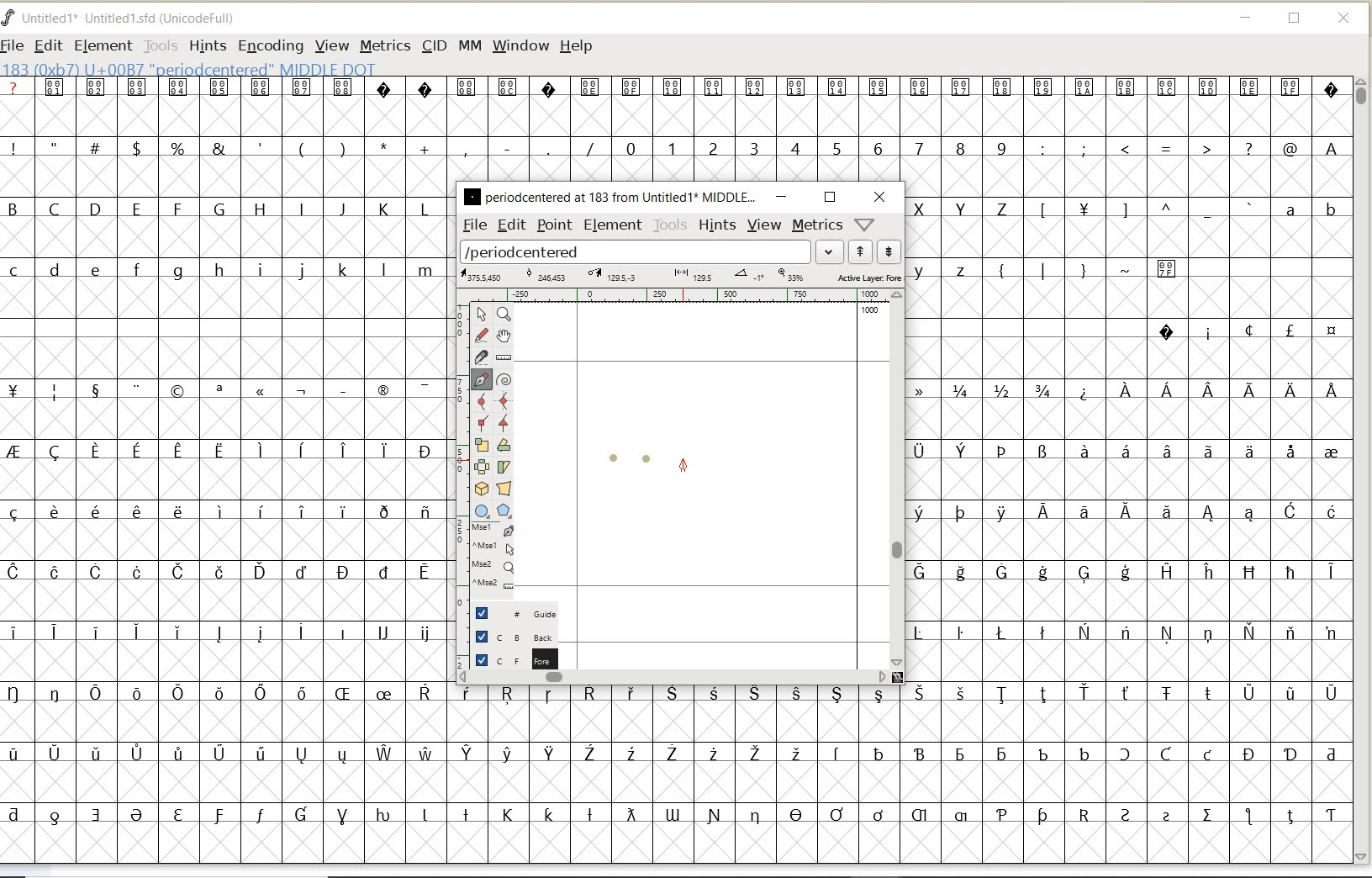 The height and width of the screenshot is (878, 1372). What do you see at coordinates (384, 47) in the screenshot?
I see `METRICS` at bounding box center [384, 47].